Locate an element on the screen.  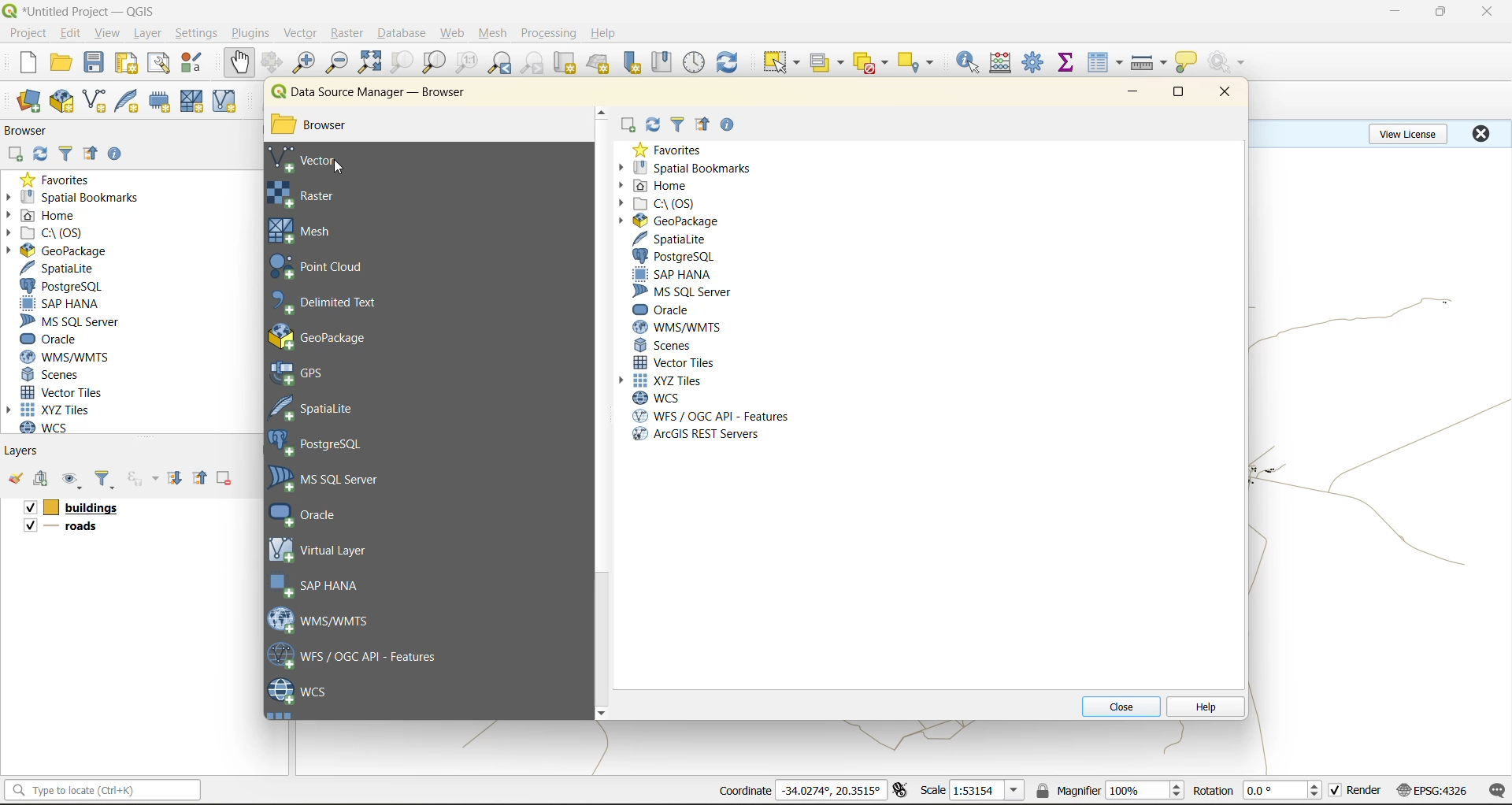
xyz tiles is located at coordinates (57, 410).